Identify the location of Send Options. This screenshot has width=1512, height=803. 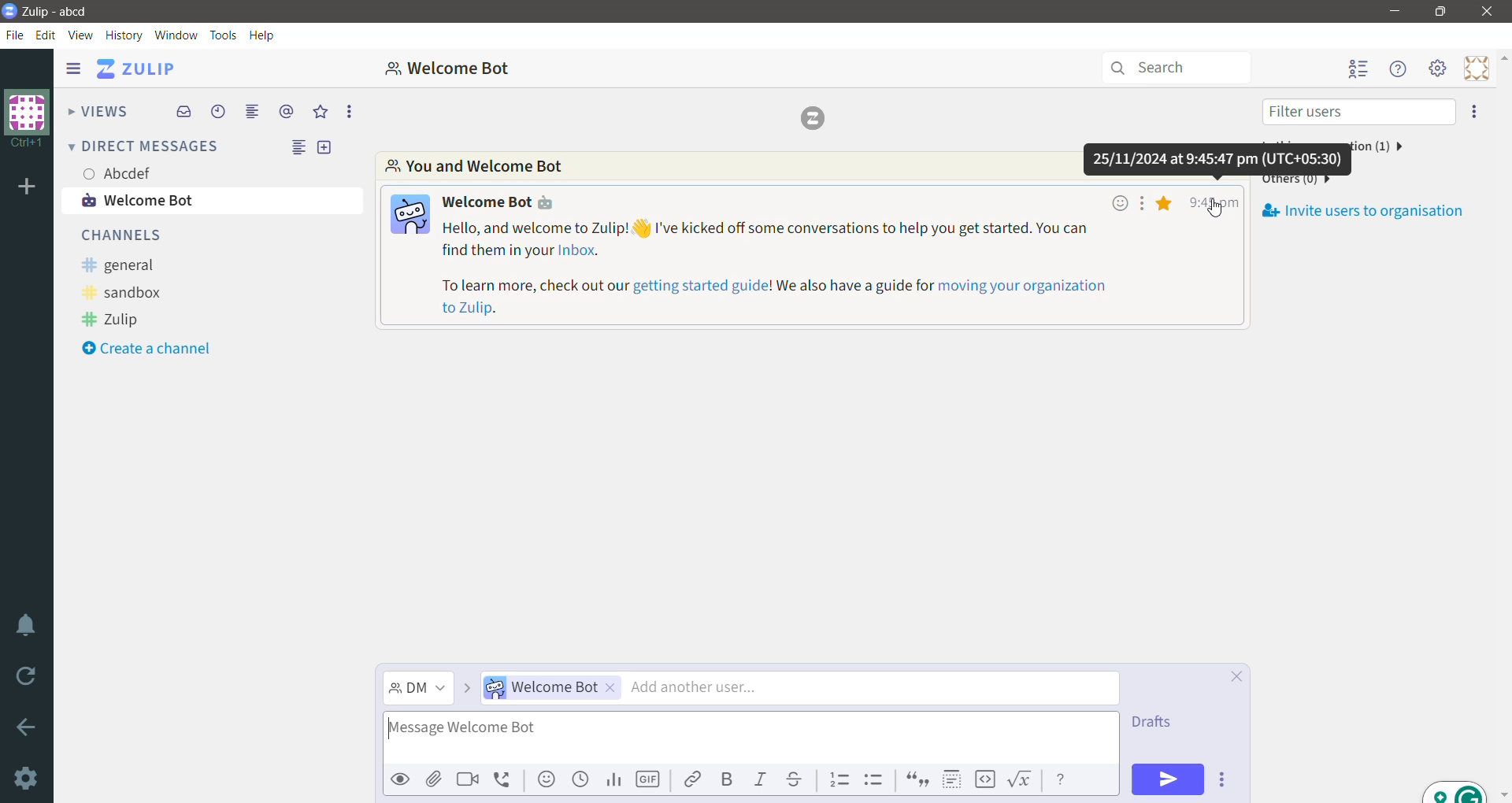
(1225, 779).